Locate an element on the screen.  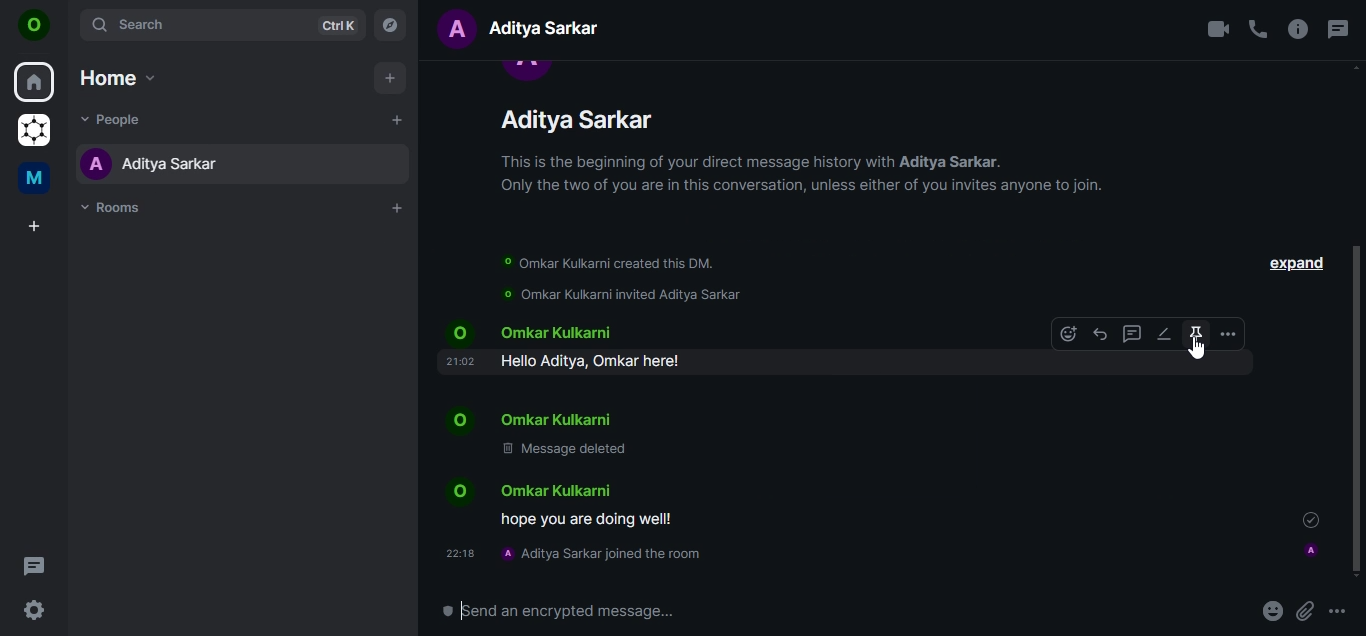
people is located at coordinates (116, 119).